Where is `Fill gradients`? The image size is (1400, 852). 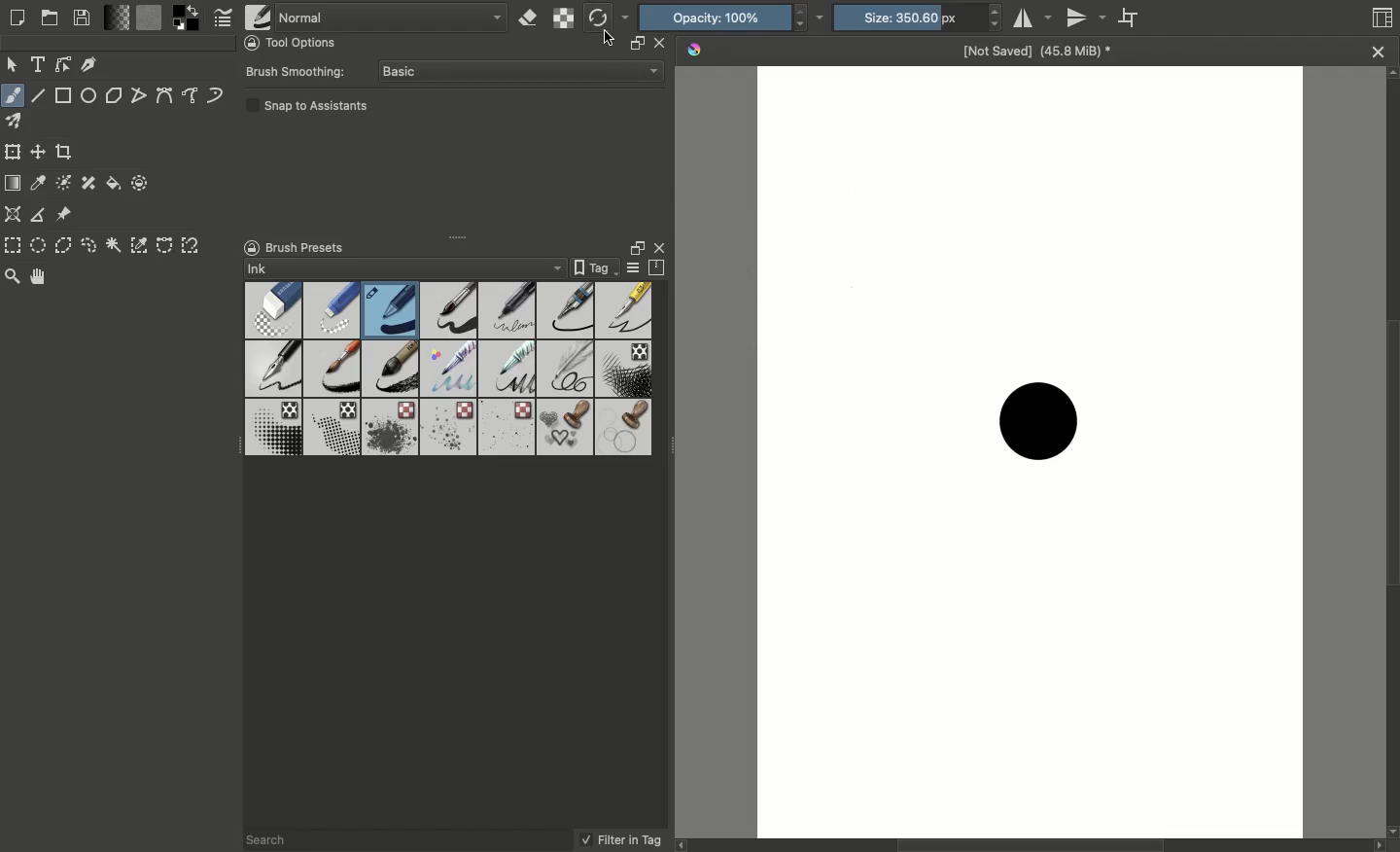
Fill gradients is located at coordinates (118, 17).